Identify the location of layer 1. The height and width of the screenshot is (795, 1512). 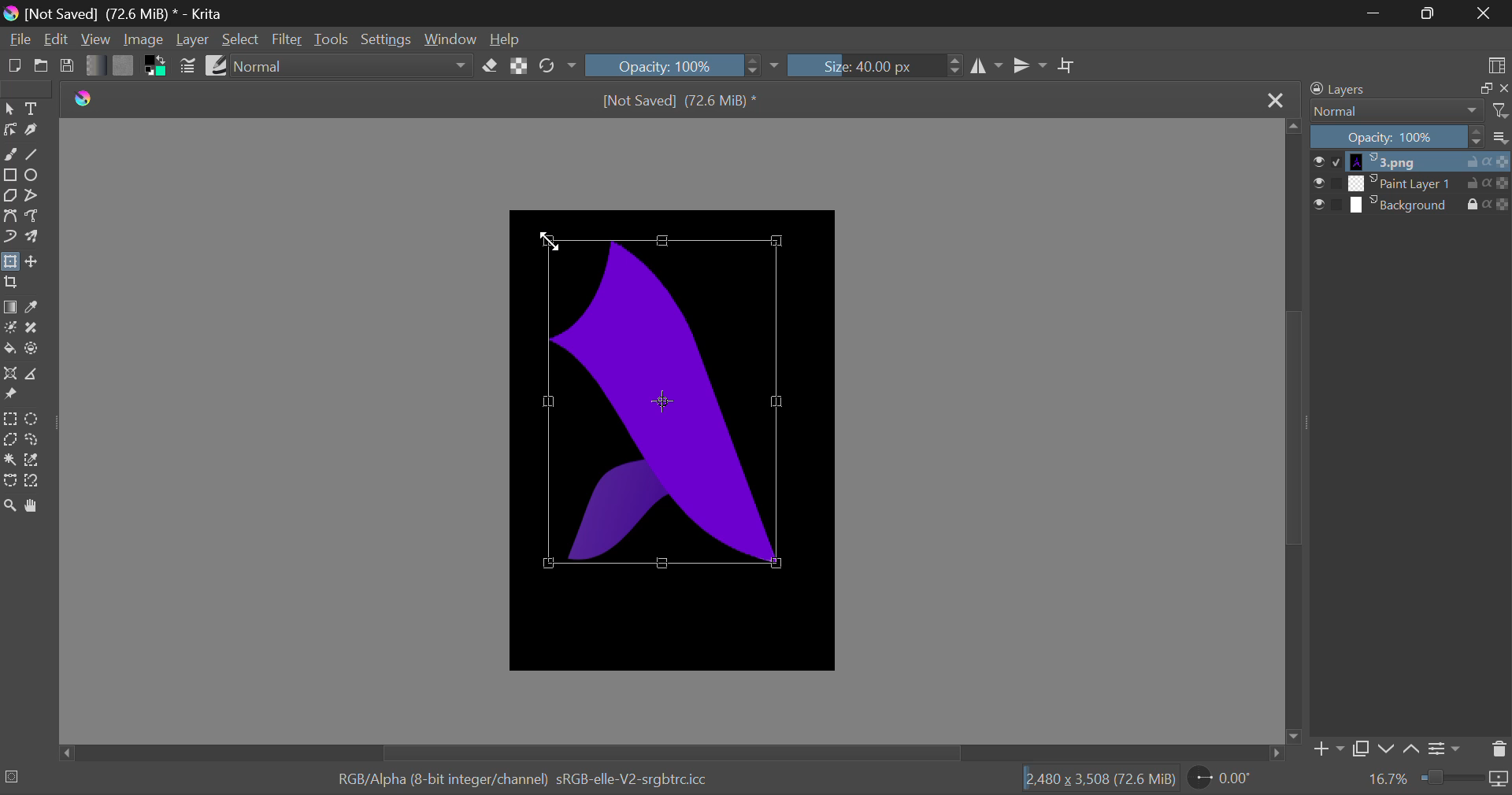
(1403, 162).